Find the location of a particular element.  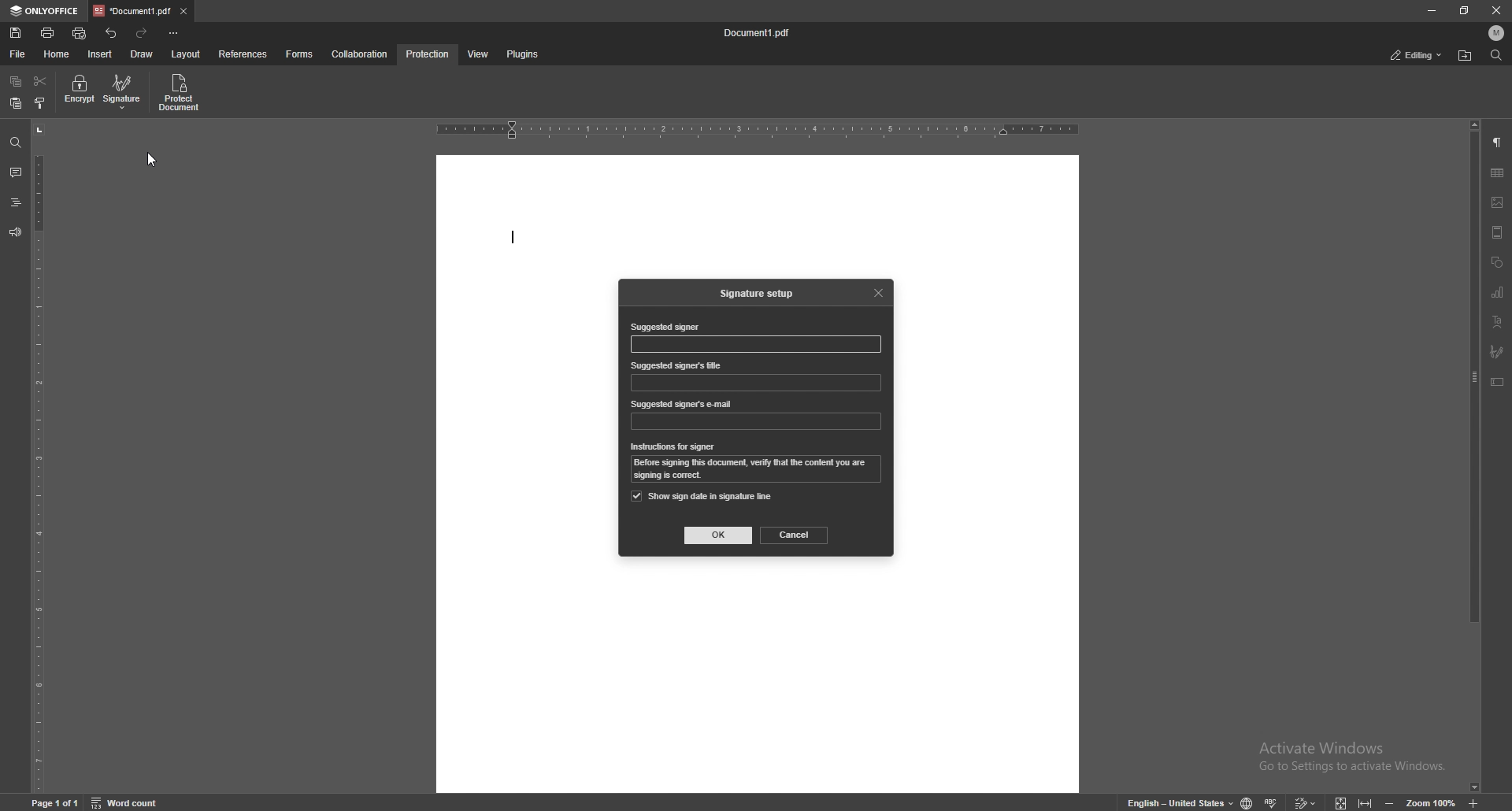

signature setup is located at coordinates (760, 294).